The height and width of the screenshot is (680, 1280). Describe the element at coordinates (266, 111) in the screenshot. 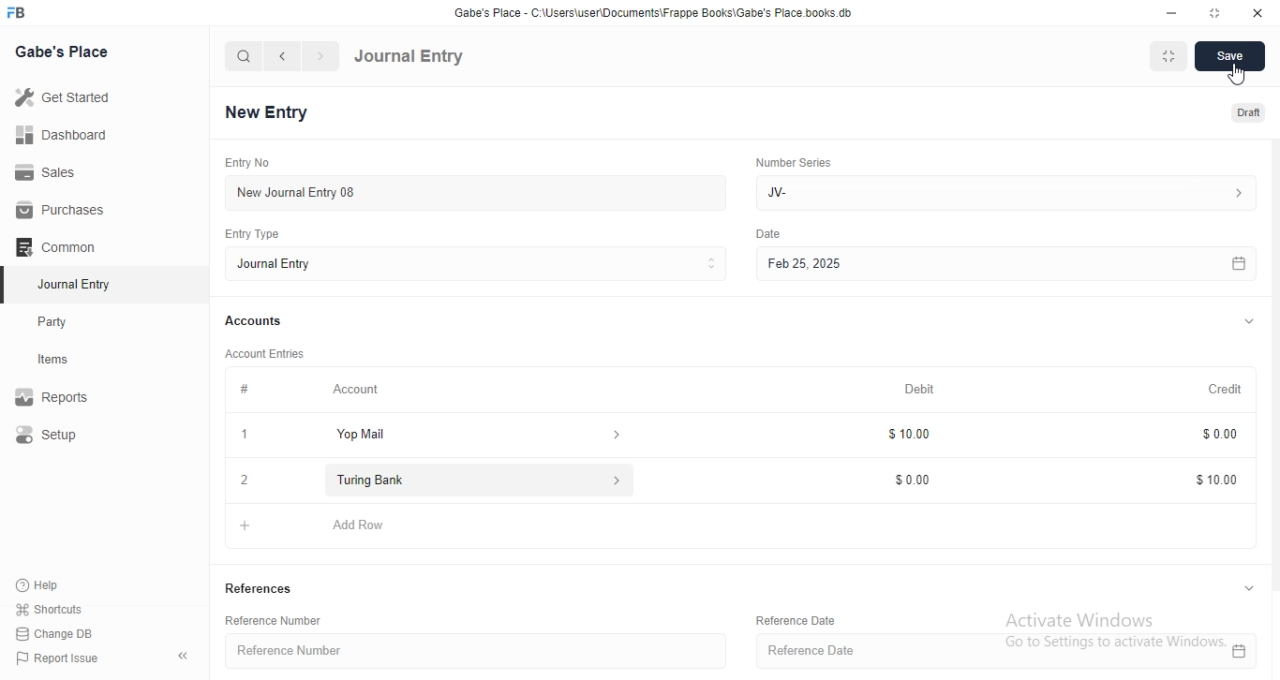

I see `New Entry` at that location.